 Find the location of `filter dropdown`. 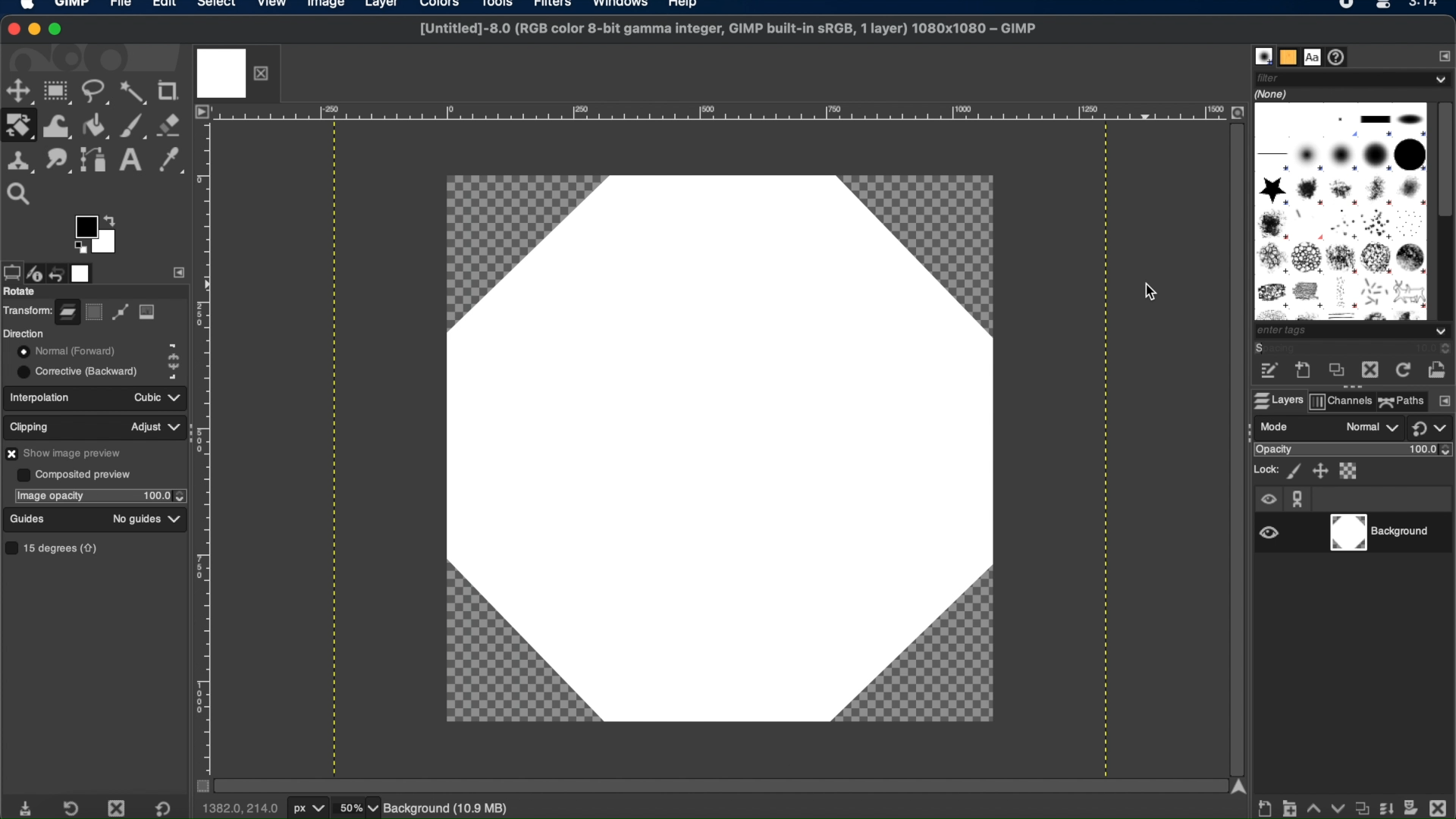

filter dropdown is located at coordinates (1353, 78).